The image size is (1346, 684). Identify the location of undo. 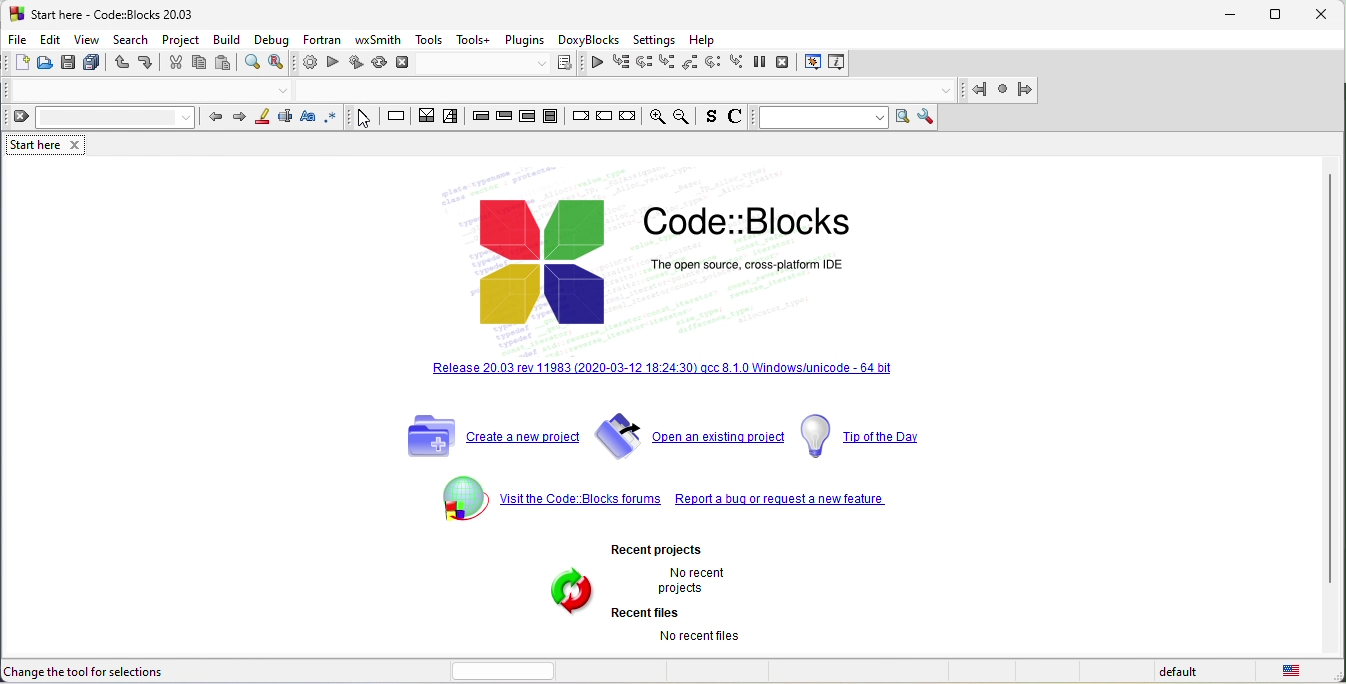
(122, 66).